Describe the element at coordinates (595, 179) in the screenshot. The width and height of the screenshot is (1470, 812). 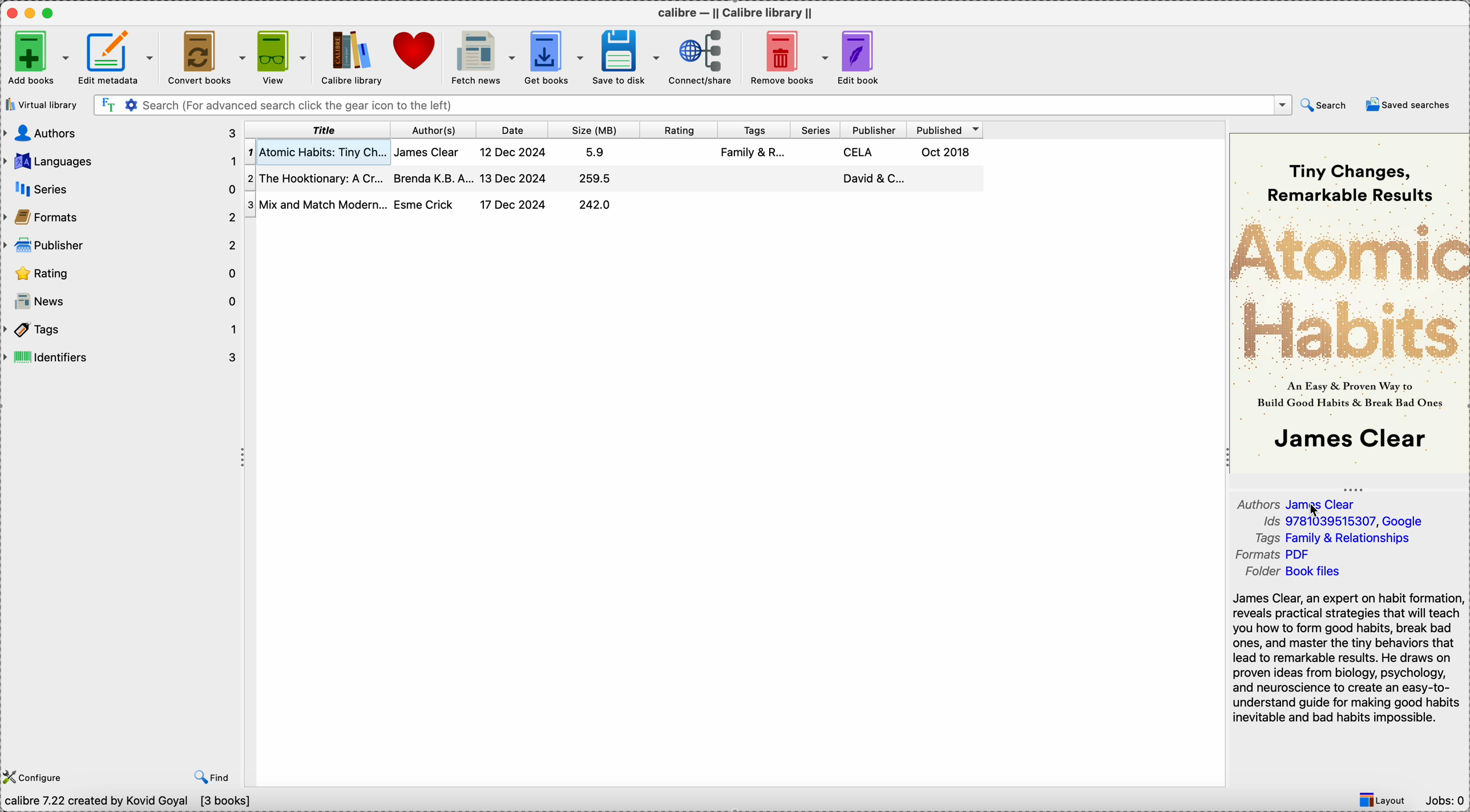
I see `259.5` at that location.